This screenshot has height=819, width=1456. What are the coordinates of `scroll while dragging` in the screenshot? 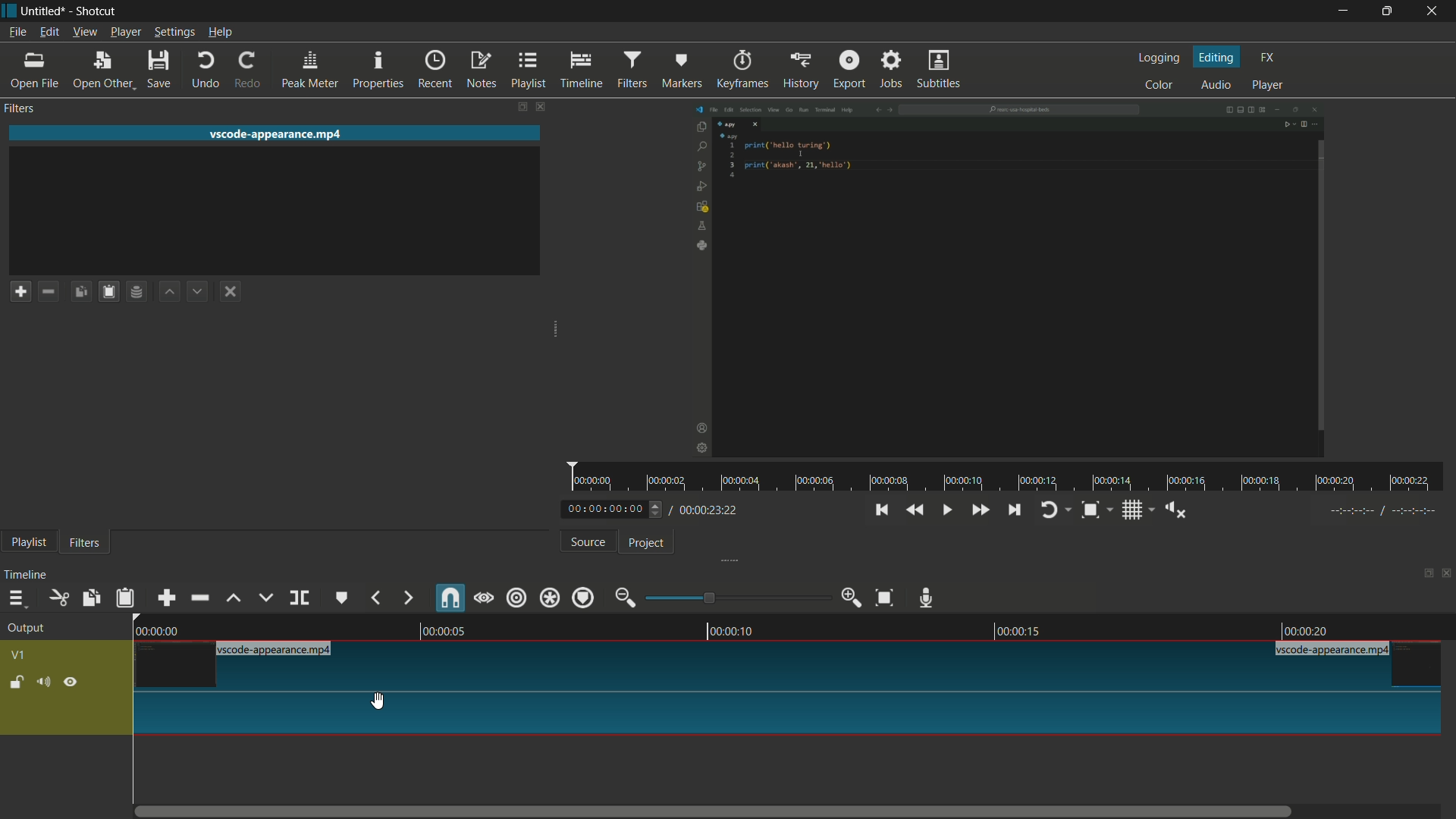 It's located at (483, 597).